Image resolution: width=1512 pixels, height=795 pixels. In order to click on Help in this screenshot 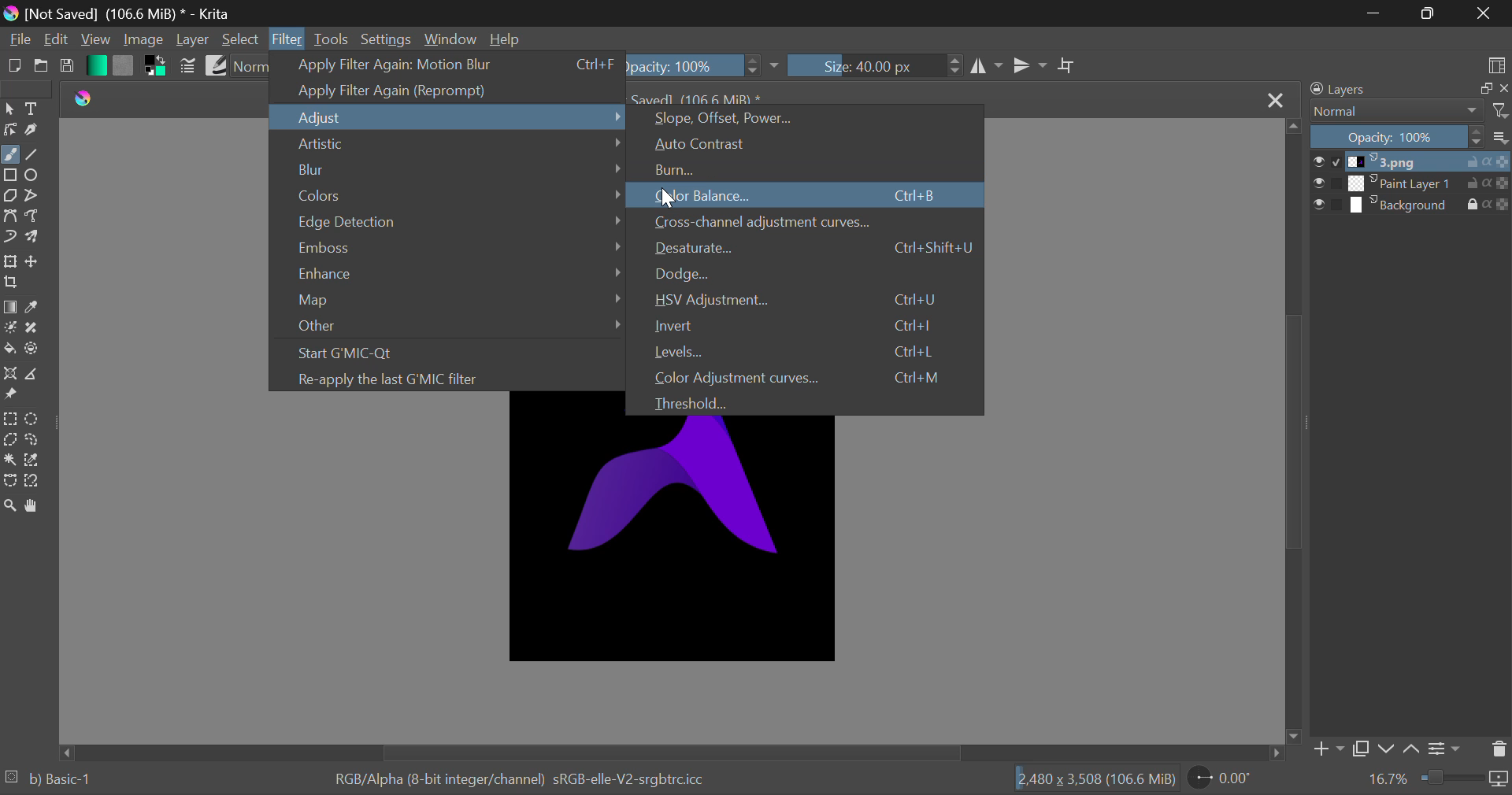, I will do `click(505, 39)`.